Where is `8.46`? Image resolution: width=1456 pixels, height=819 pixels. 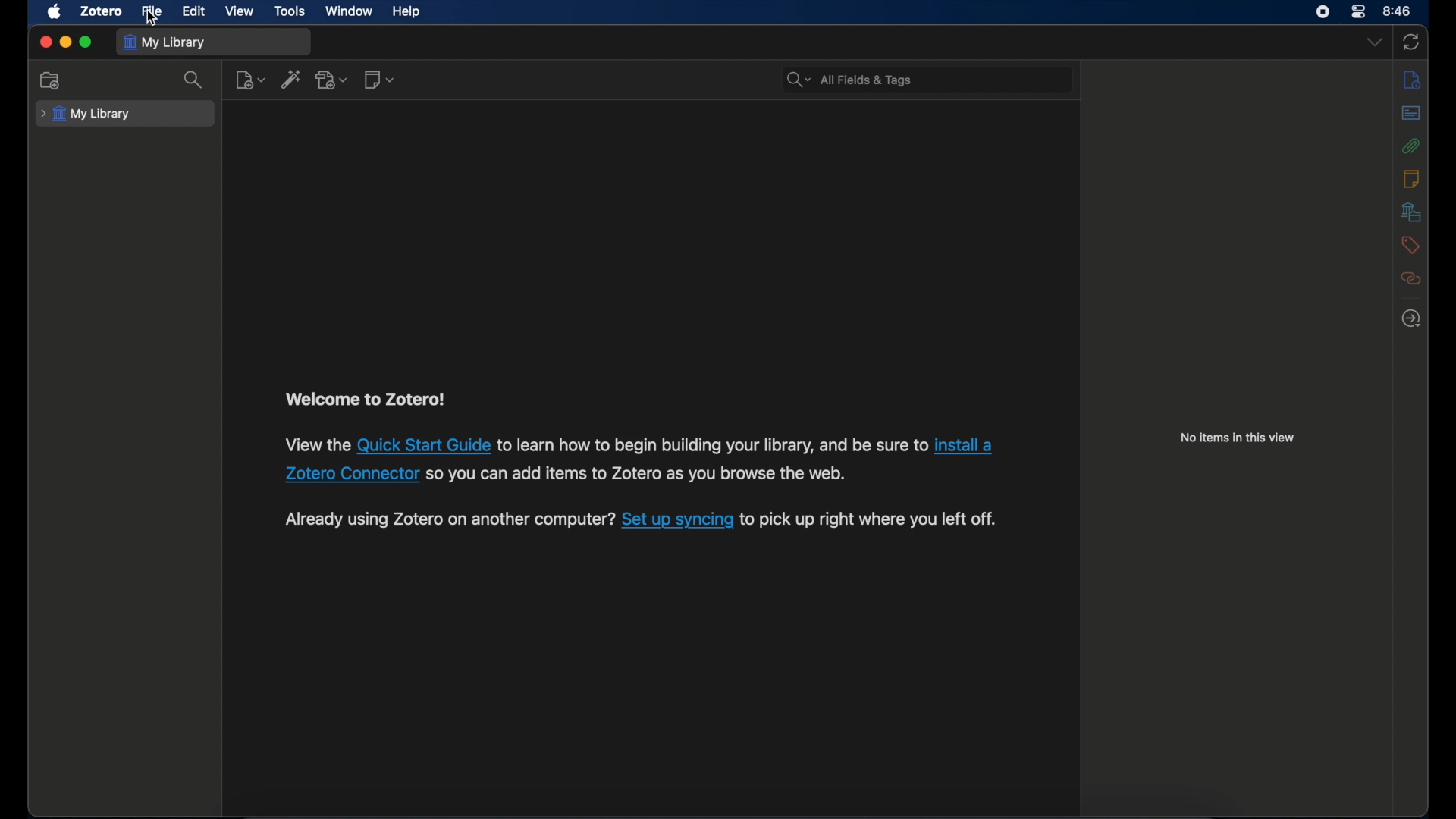
8.46 is located at coordinates (1398, 11).